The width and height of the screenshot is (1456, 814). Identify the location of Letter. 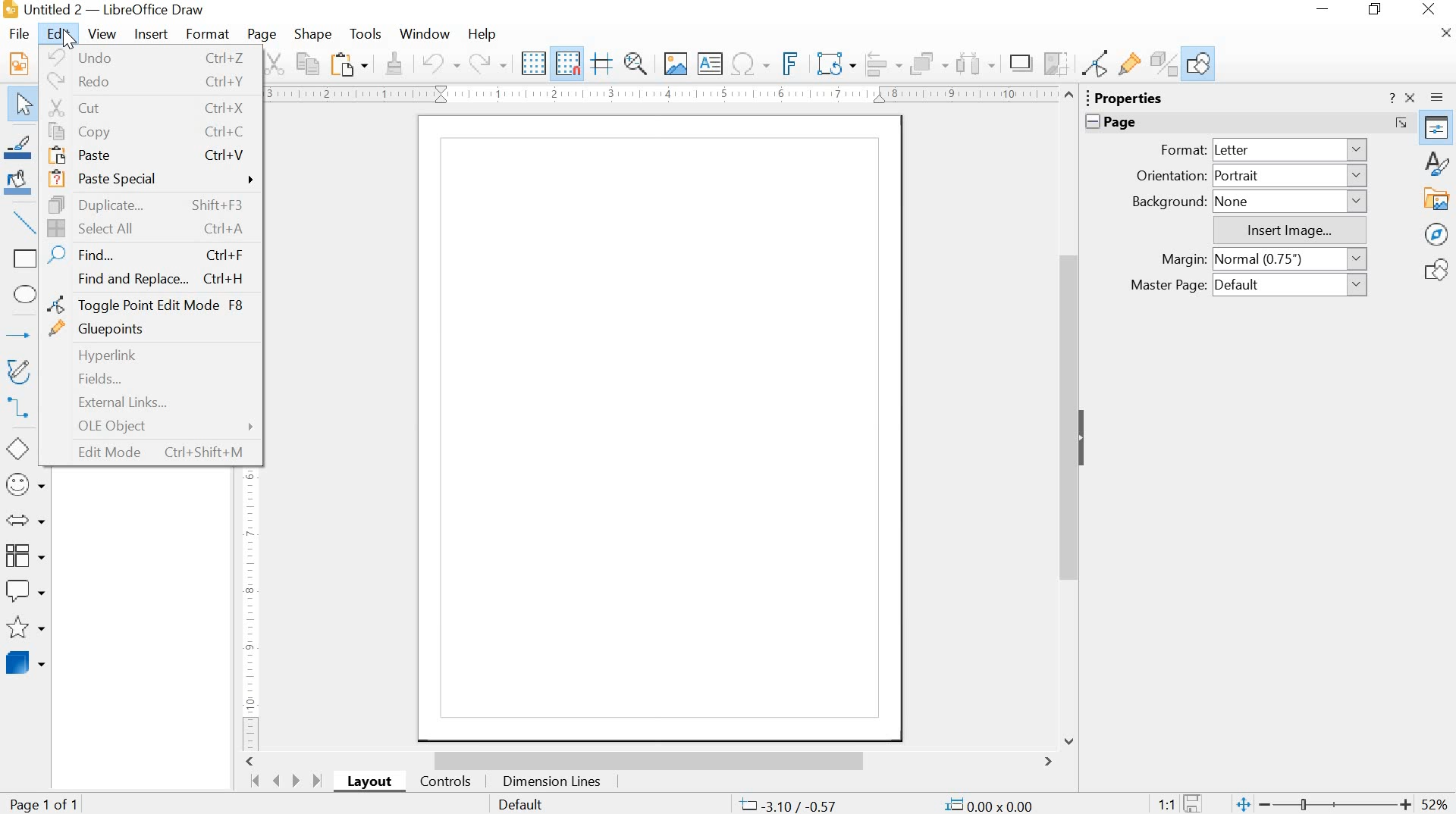
(1290, 151).